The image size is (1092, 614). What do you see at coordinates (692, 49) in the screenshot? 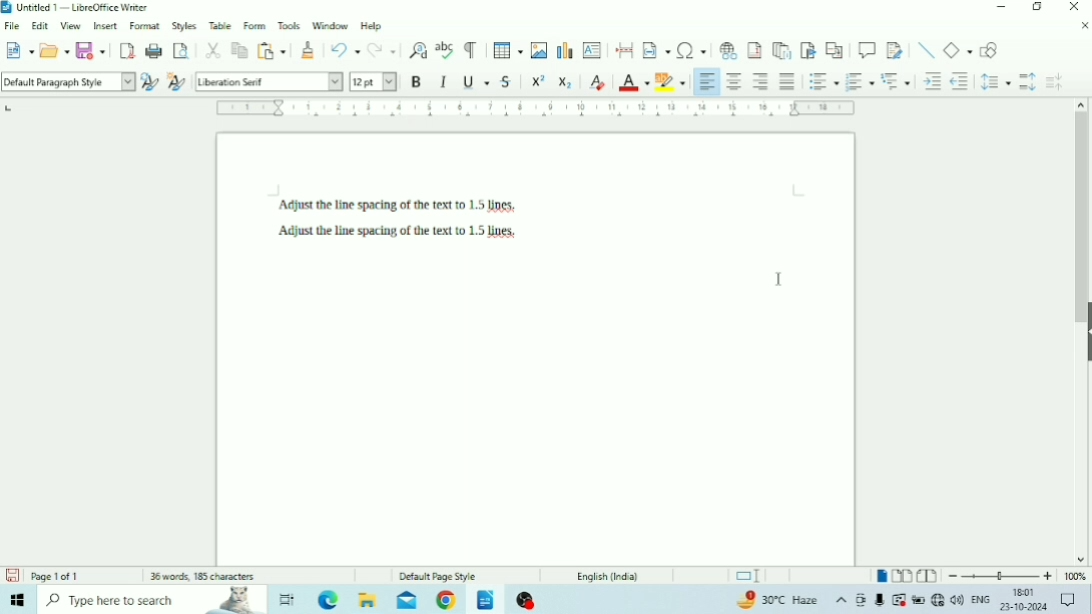
I see `Insert Special Characters` at bounding box center [692, 49].